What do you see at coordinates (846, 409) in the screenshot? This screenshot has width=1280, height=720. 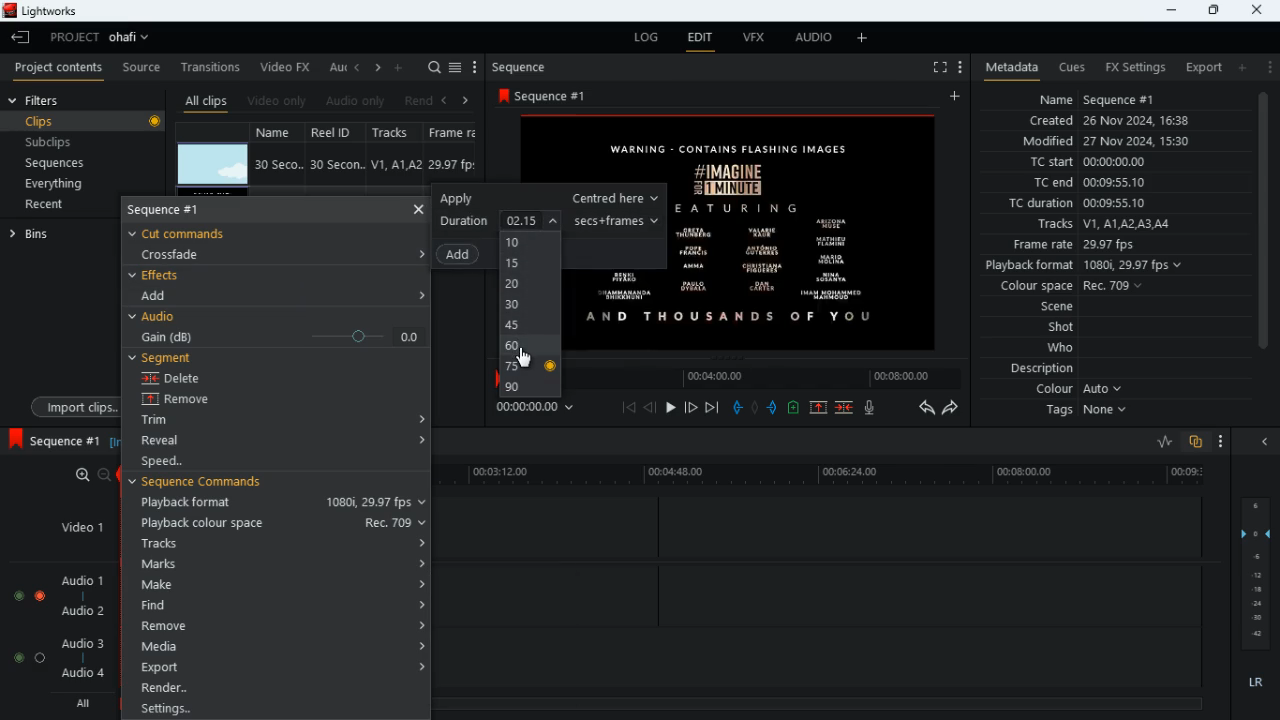 I see `merge` at bounding box center [846, 409].